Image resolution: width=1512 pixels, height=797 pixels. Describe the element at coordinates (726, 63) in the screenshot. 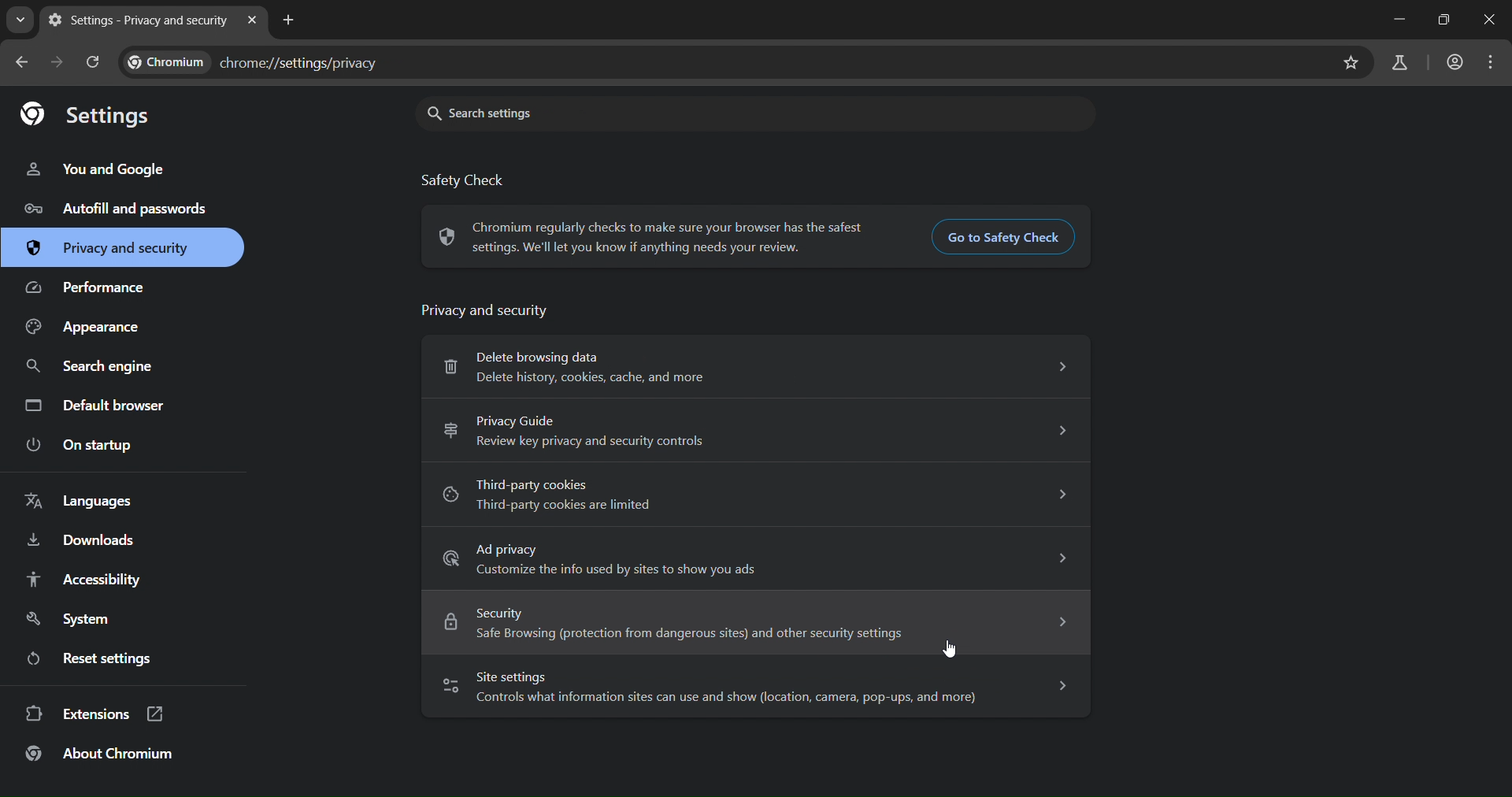

I see `chrome://settings/clearBrowserData` at that location.